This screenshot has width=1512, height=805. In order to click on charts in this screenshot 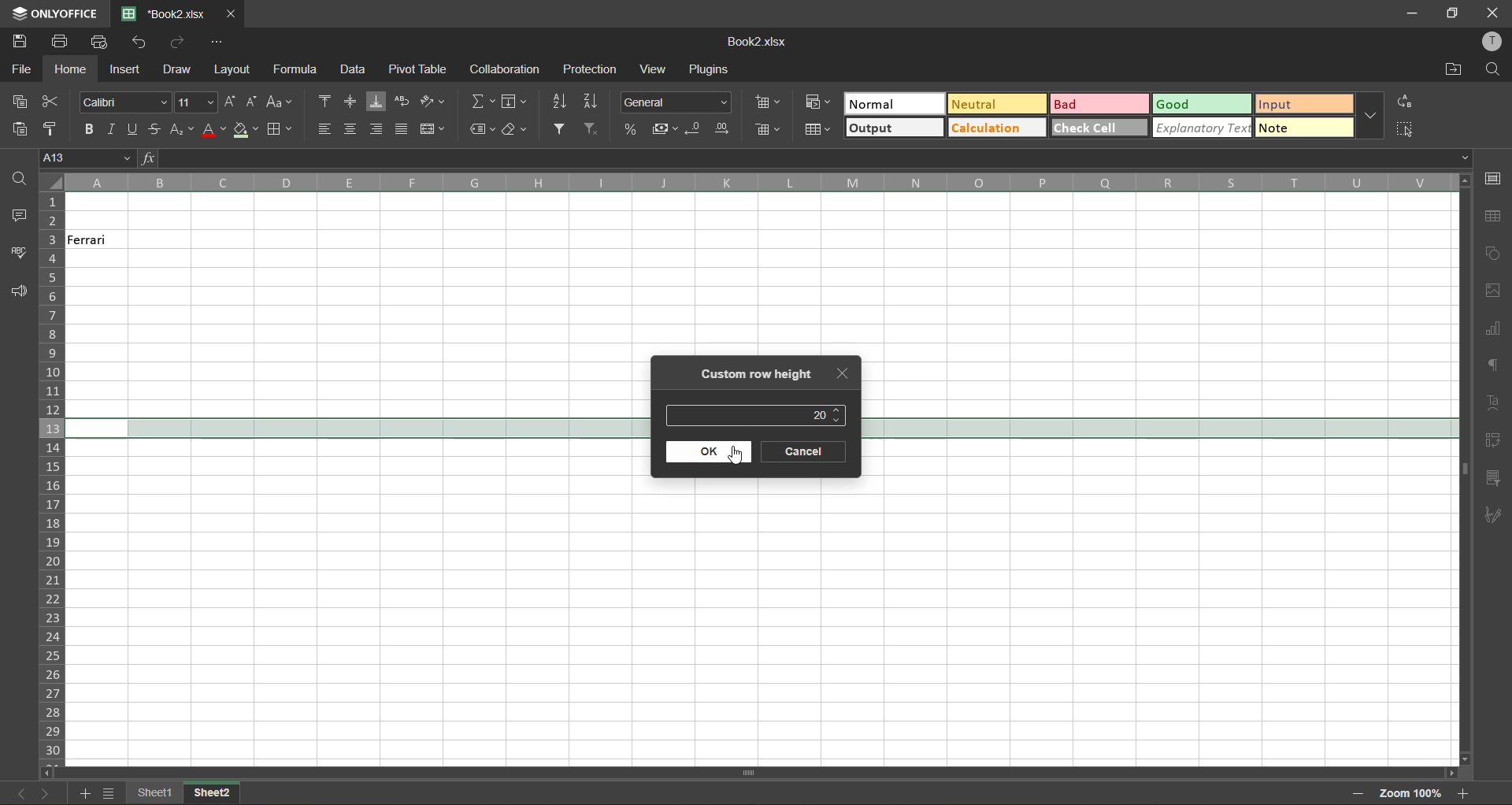, I will do `click(1495, 331)`.